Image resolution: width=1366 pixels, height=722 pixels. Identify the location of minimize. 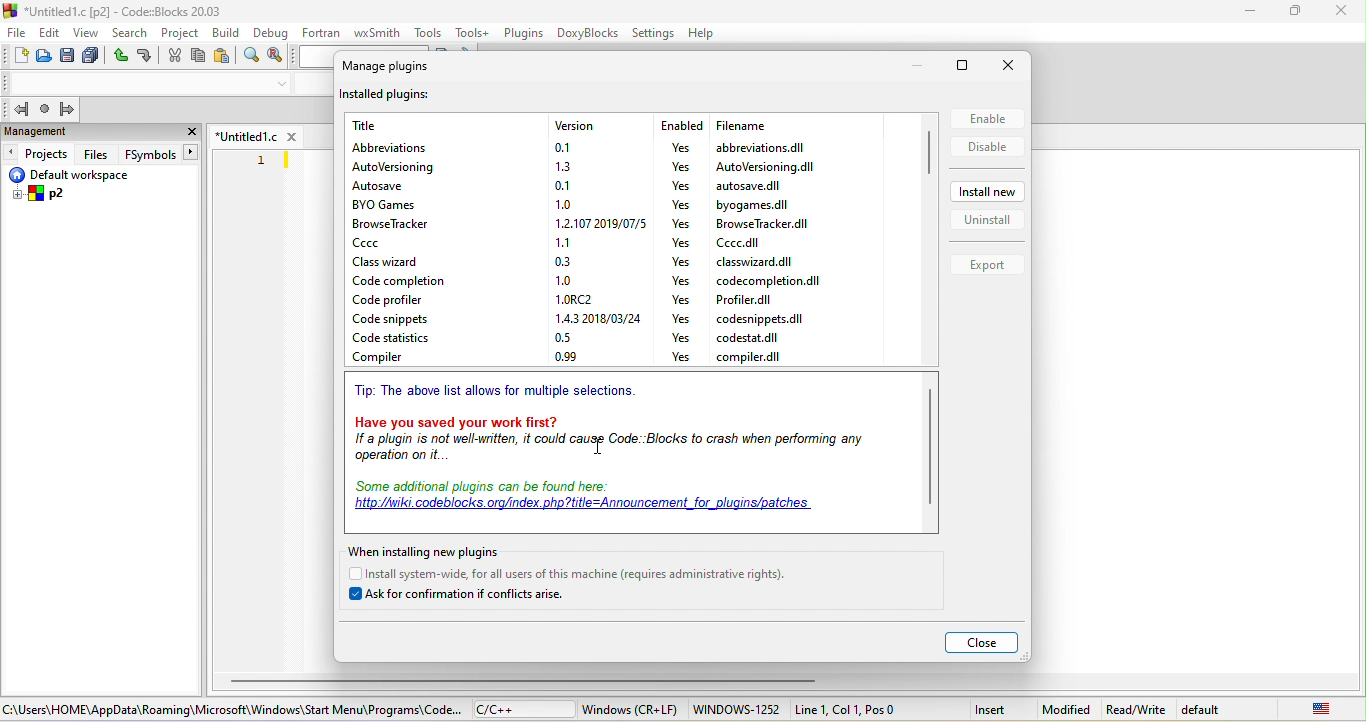
(915, 64).